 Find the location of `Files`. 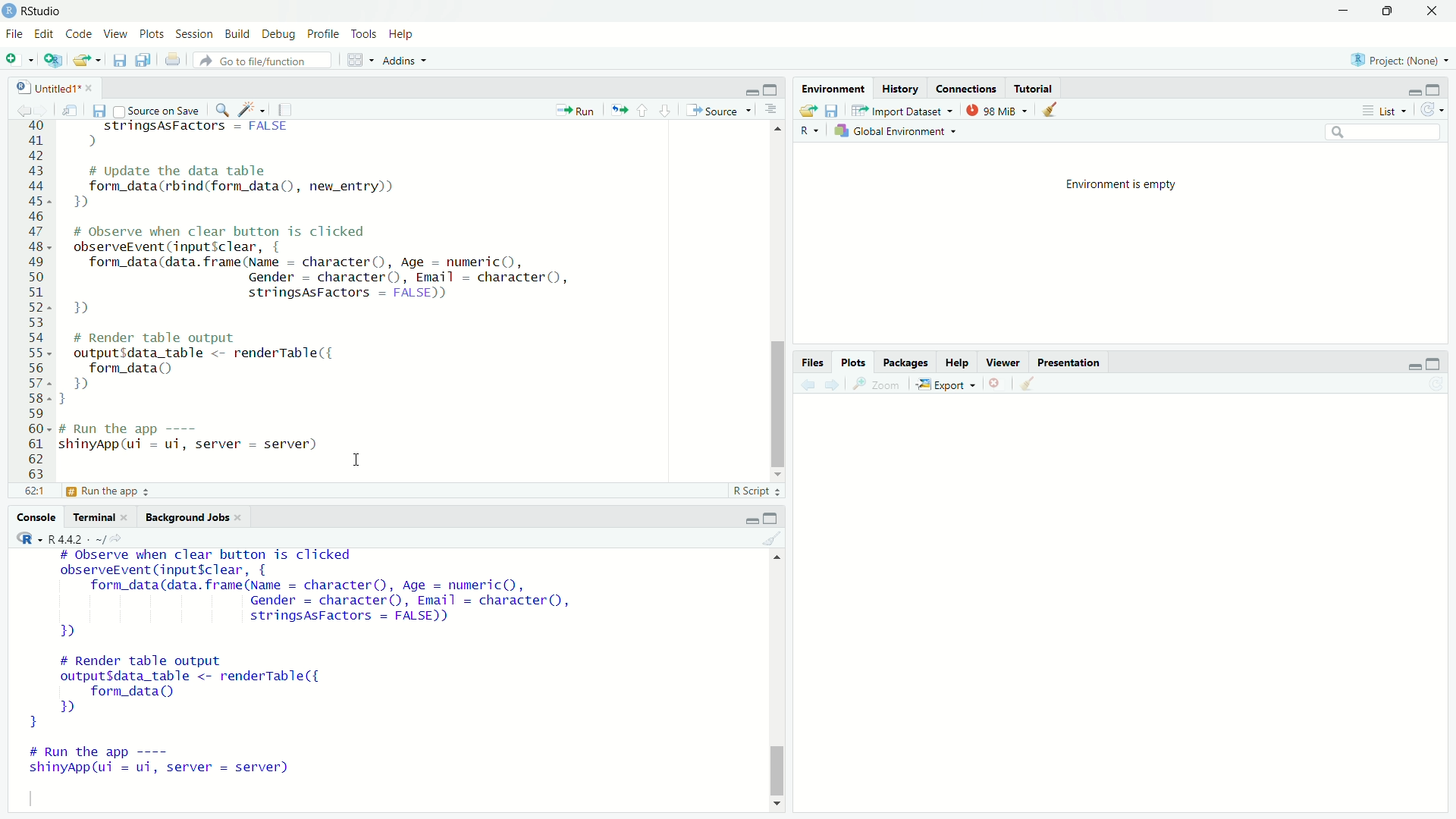

Files is located at coordinates (810, 362).